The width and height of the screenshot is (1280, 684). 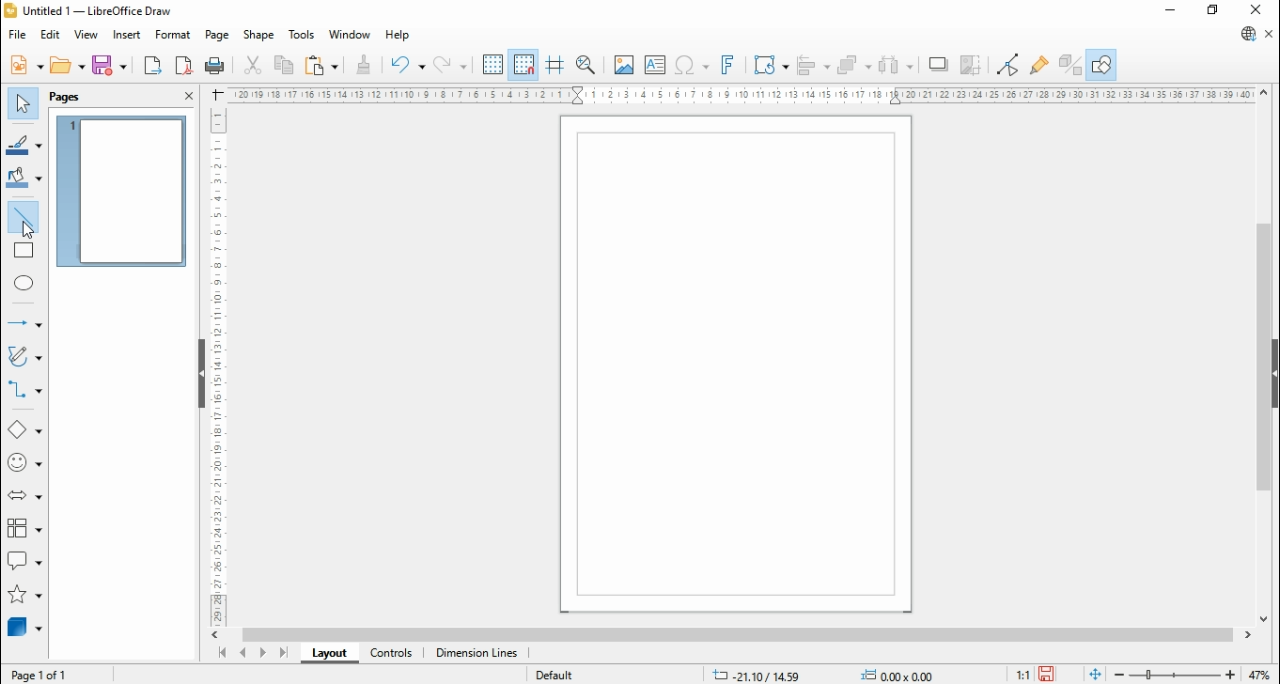 What do you see at coordinates (126, 35) in the screenshot?
I see `insert` at bounding box center [126, 35].